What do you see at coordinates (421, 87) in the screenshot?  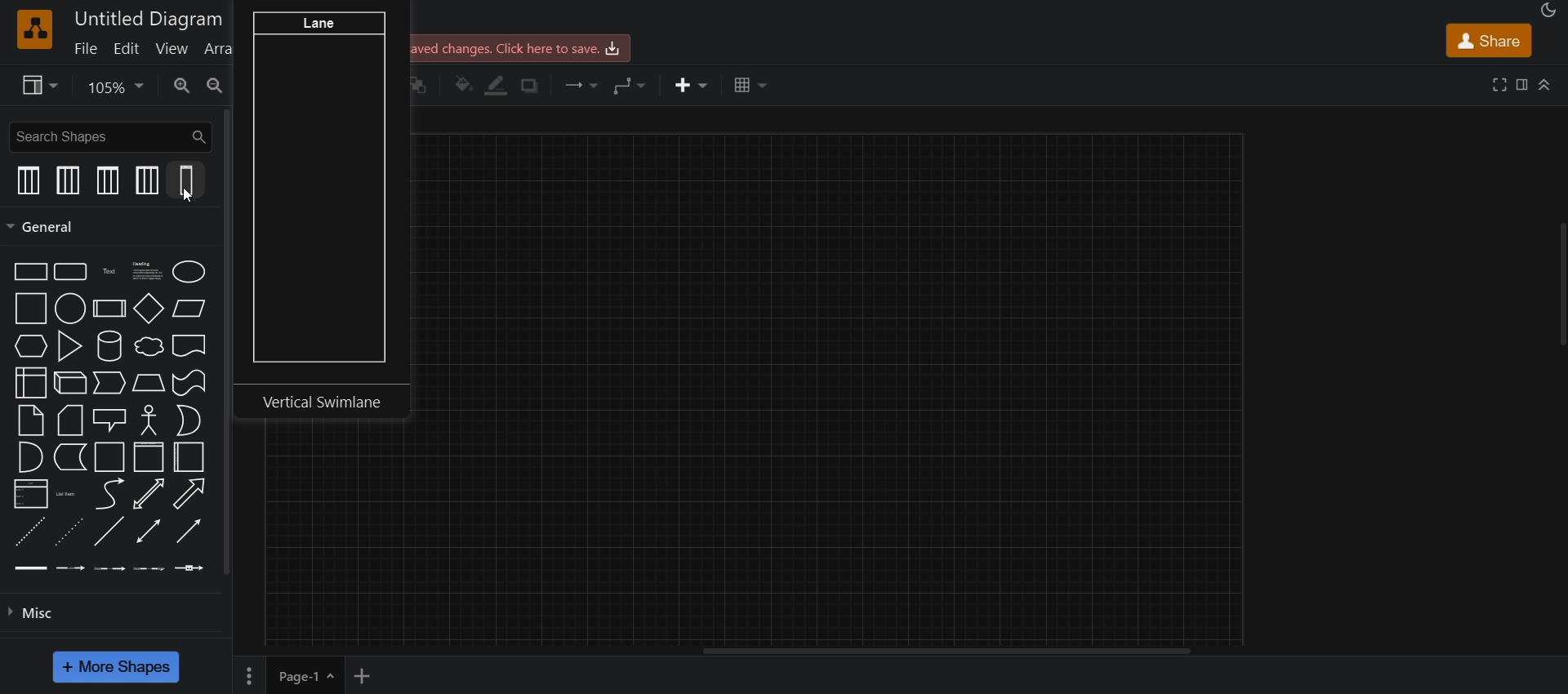 I see `to back` at bounding box center [421, 87].